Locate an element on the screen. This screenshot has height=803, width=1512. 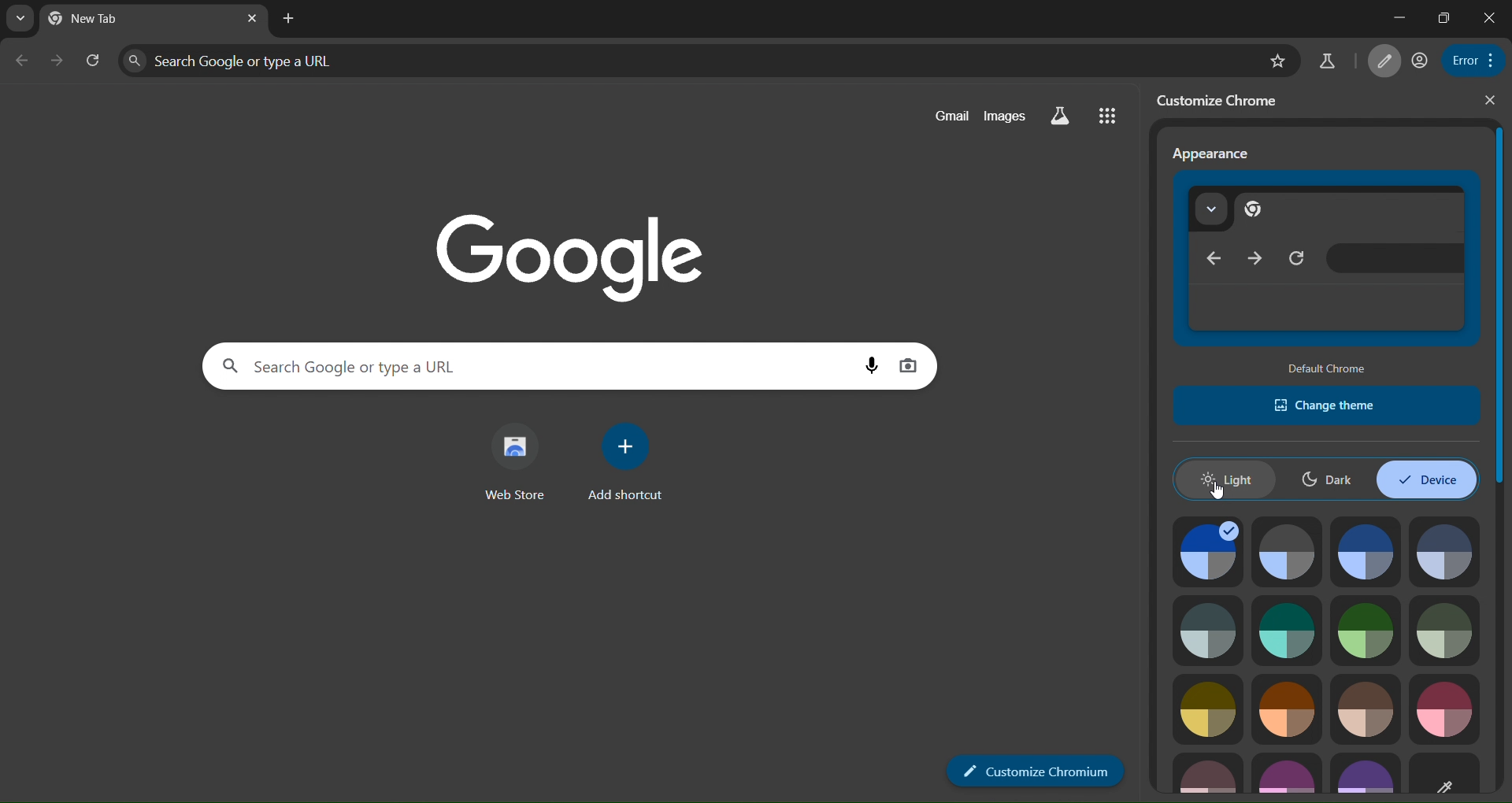
default chrome is located at coordinates (1329, 369).